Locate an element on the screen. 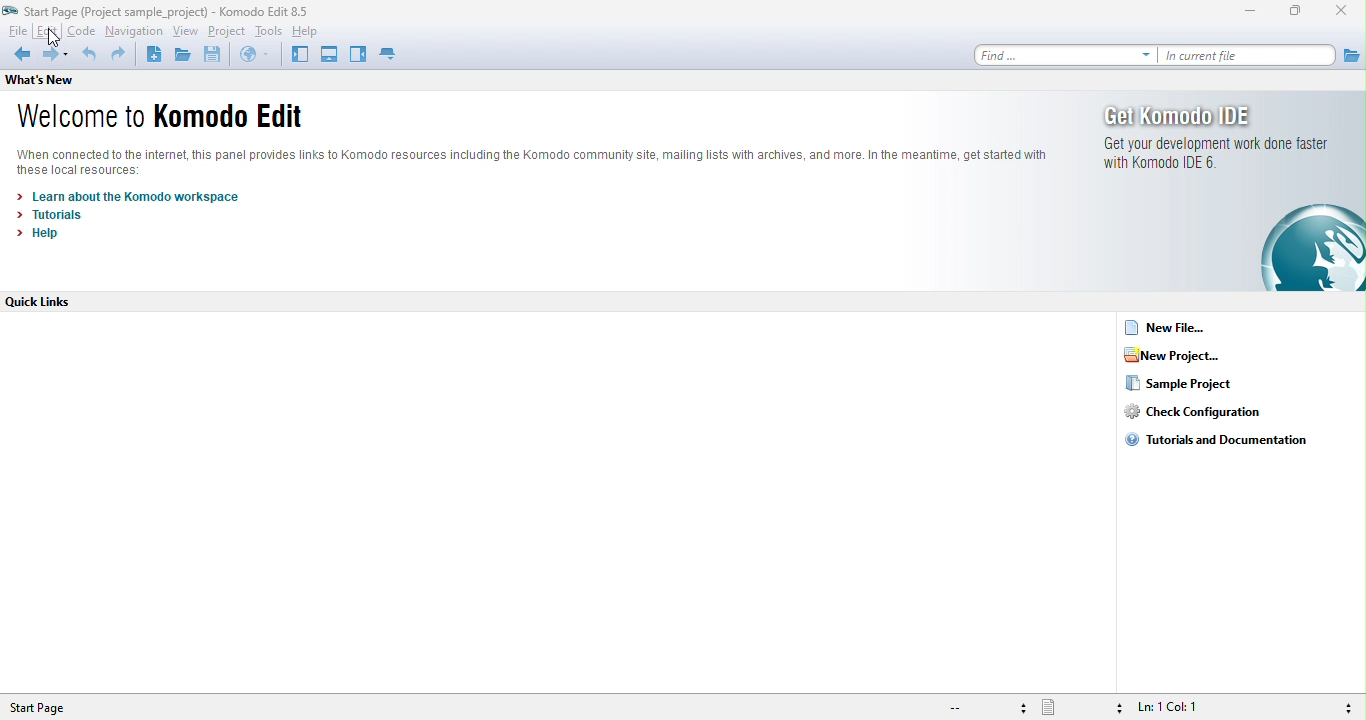 The image size is (1366, 720). file type is located at coordinates (1081, 707).